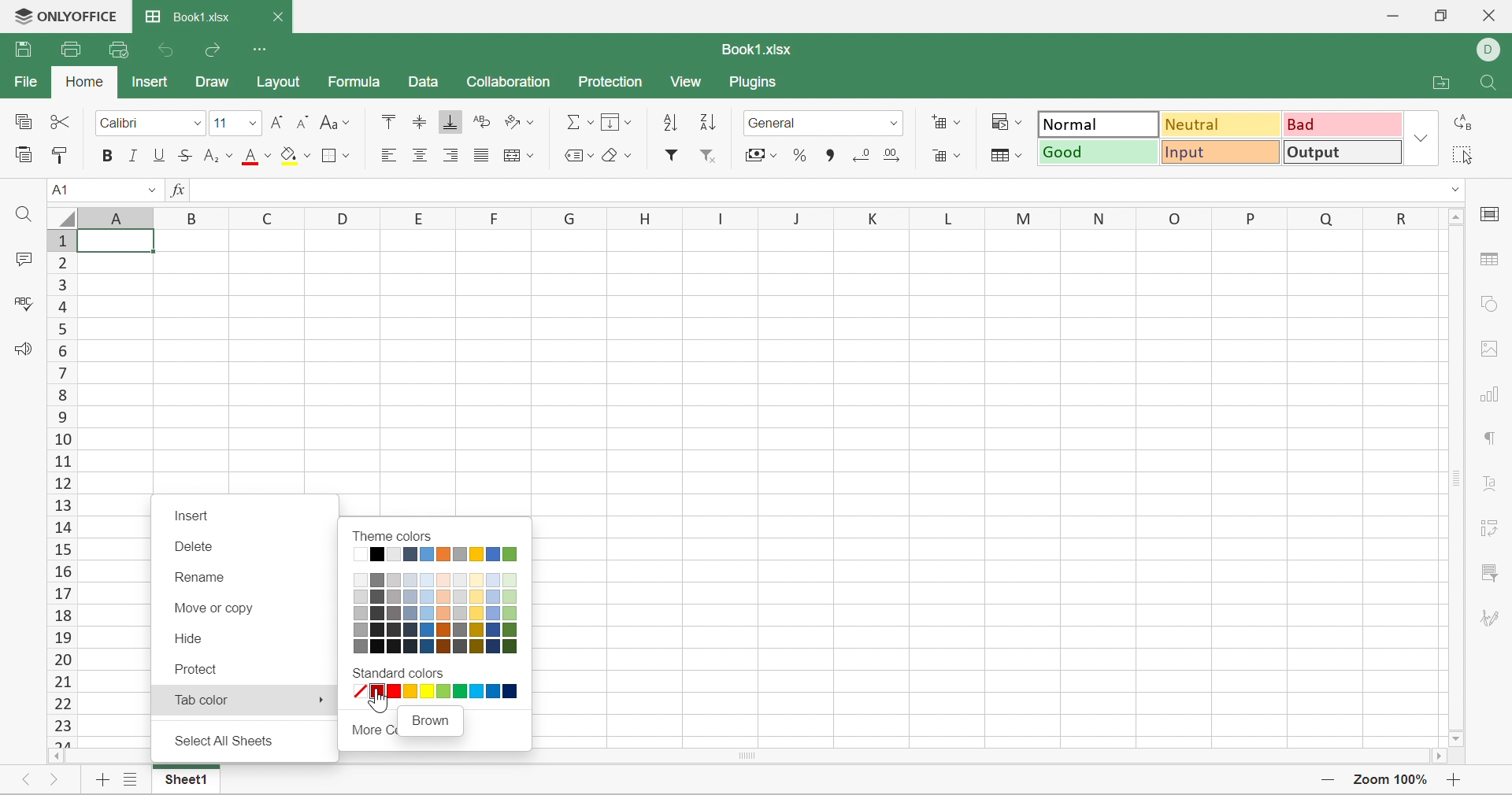  What do you see at coordinates (61, 442) in the screenshot?
I see `10` at bounding box center [61, 442].